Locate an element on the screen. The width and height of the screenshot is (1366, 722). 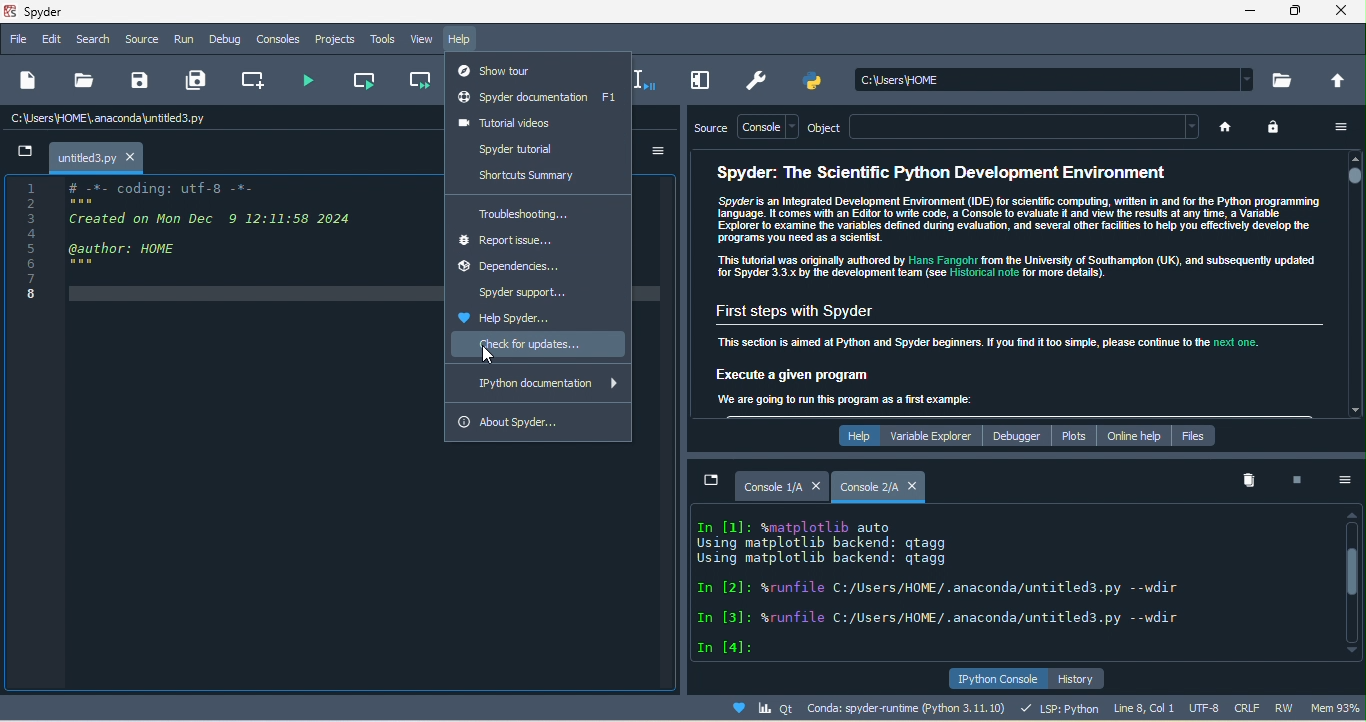
rw is located at coordinates (1287, 708).